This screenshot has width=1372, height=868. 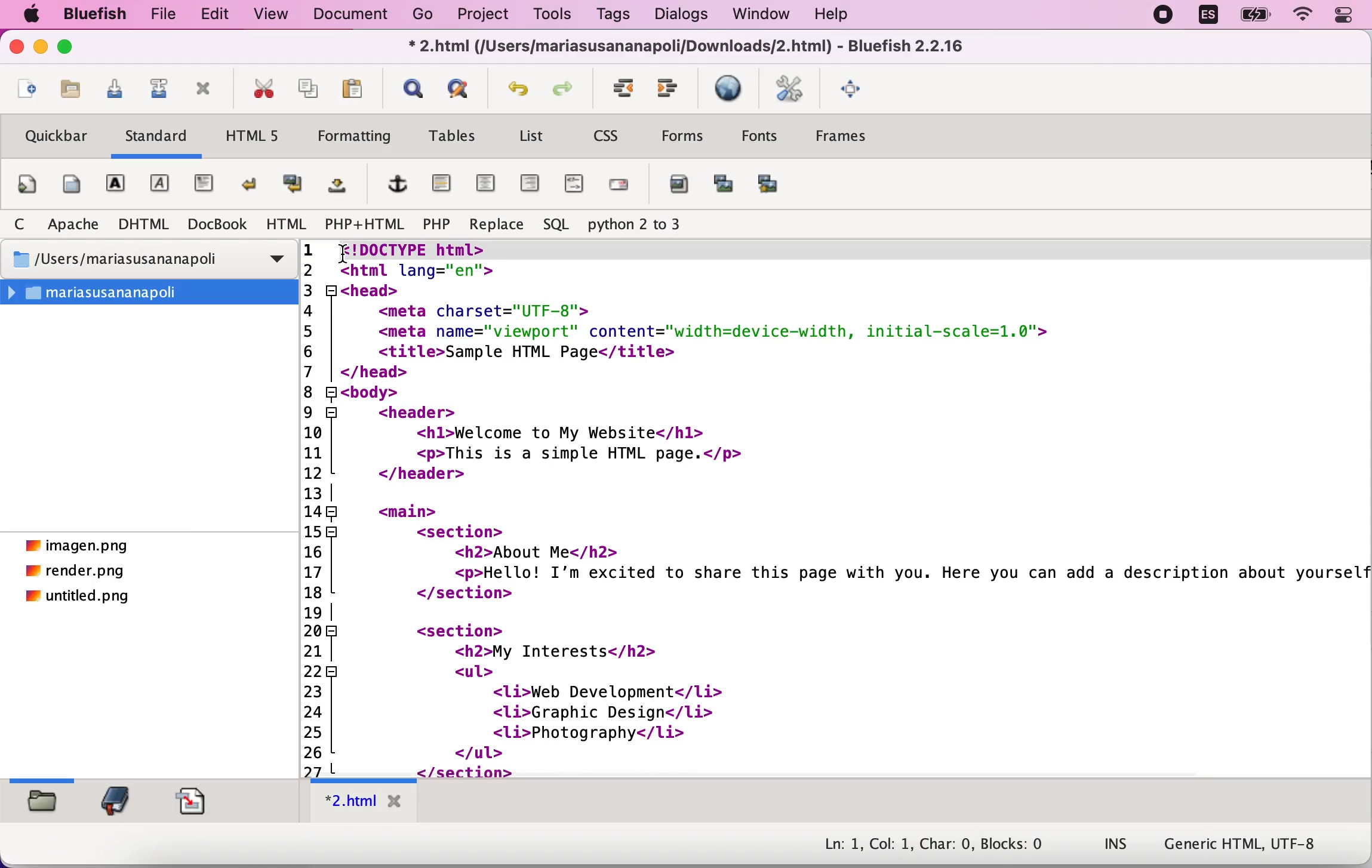 What do you see at coordinates (1242, 846) in the screenshot?
I see `generic html, UTF-8` at bounding box center [1242, 846].